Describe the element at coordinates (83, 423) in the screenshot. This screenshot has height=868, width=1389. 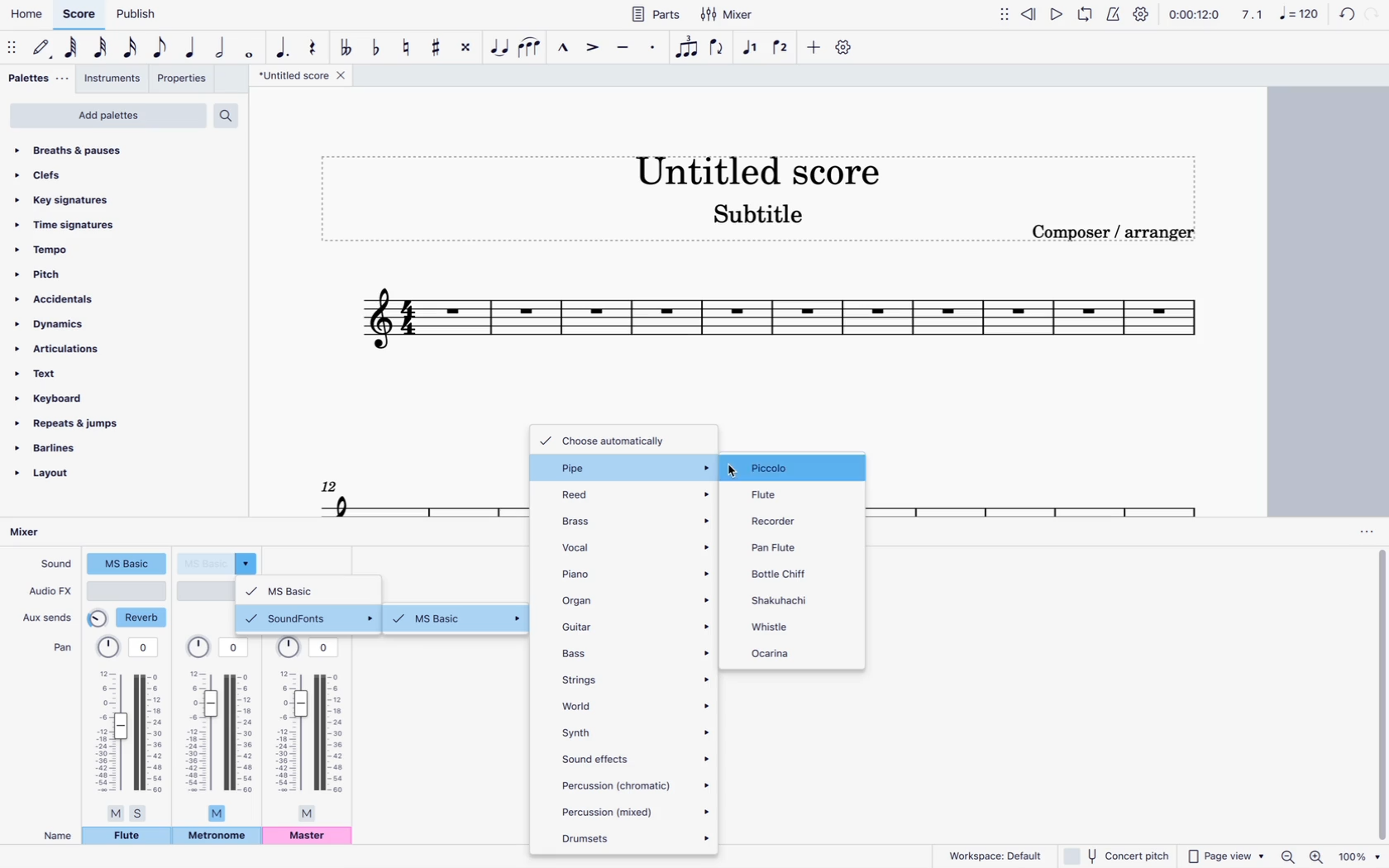
I see `repeats & jumps` at that location.